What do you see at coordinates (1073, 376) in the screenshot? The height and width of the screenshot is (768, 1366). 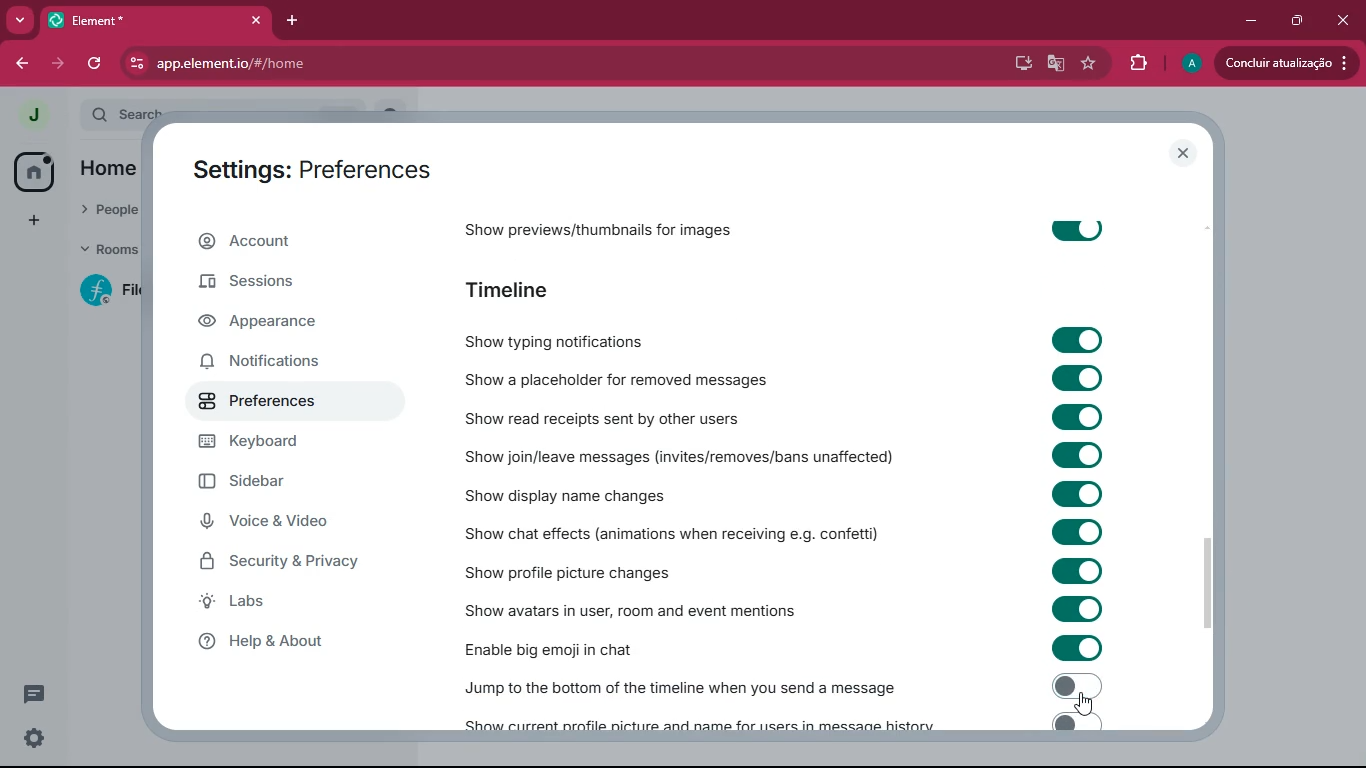 I see `toggle on ` at bounding box center [1073, 376].